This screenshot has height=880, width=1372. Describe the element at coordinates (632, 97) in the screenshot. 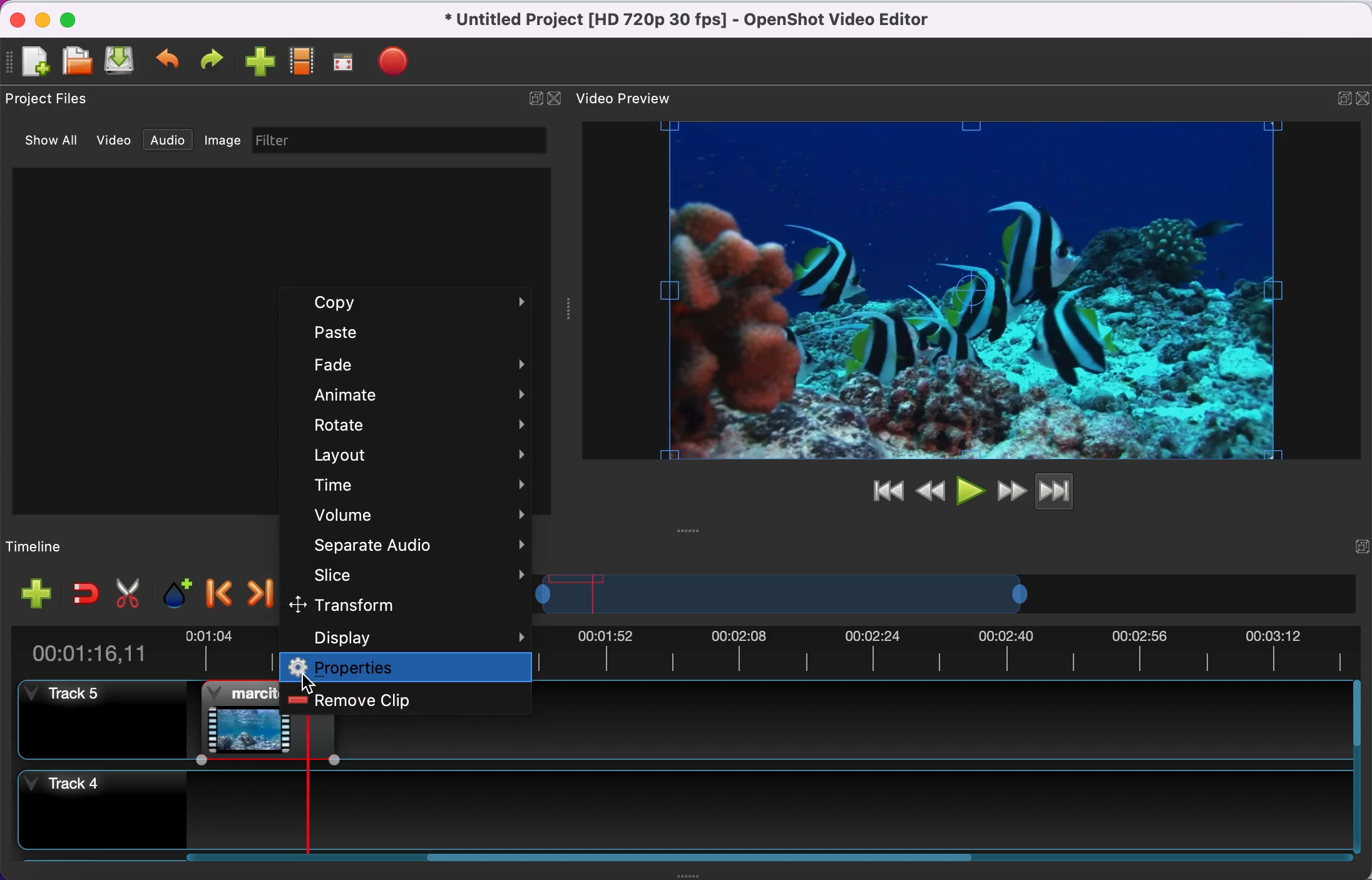

I see `video preview` at that location.